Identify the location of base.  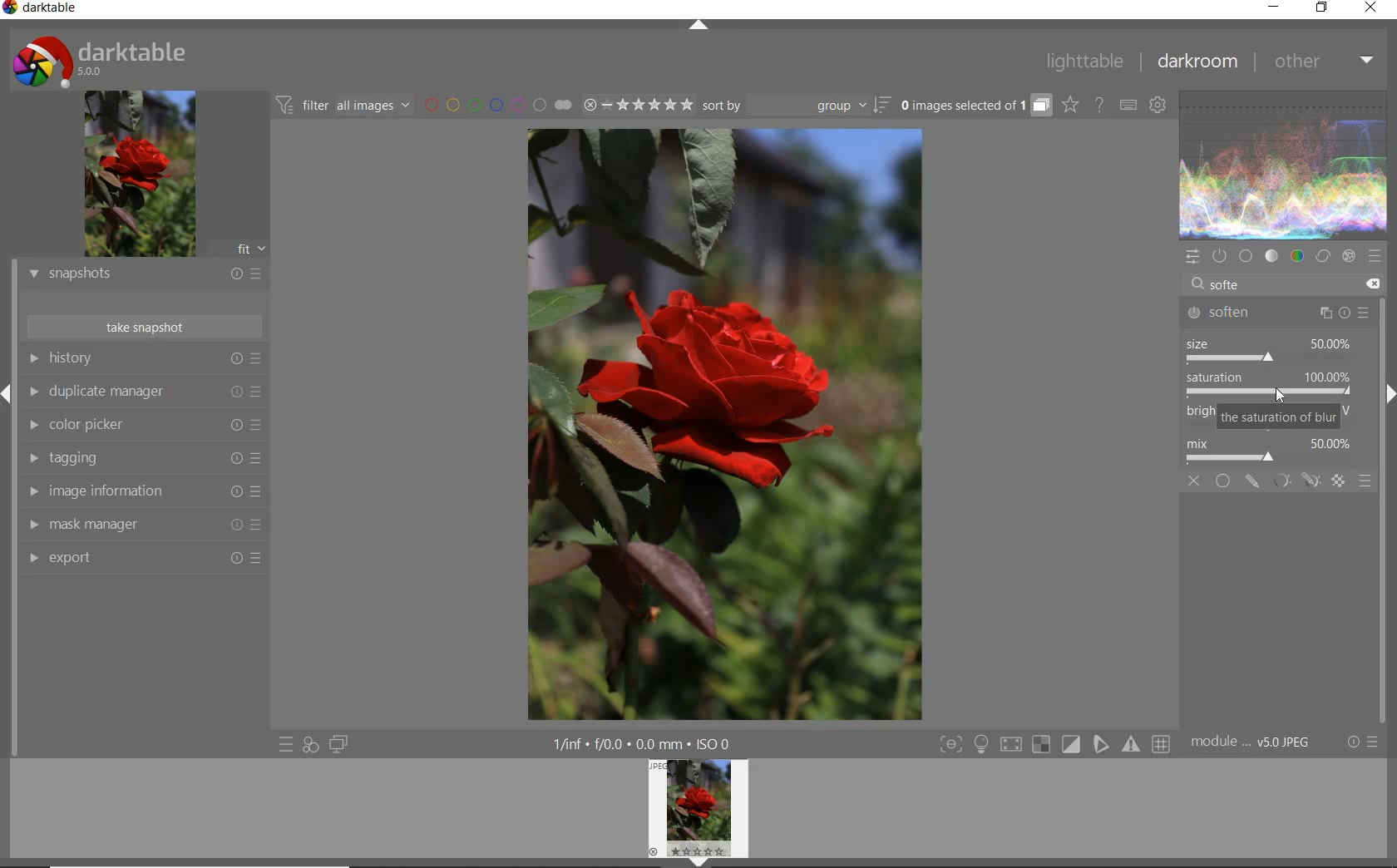
(1244, 255).